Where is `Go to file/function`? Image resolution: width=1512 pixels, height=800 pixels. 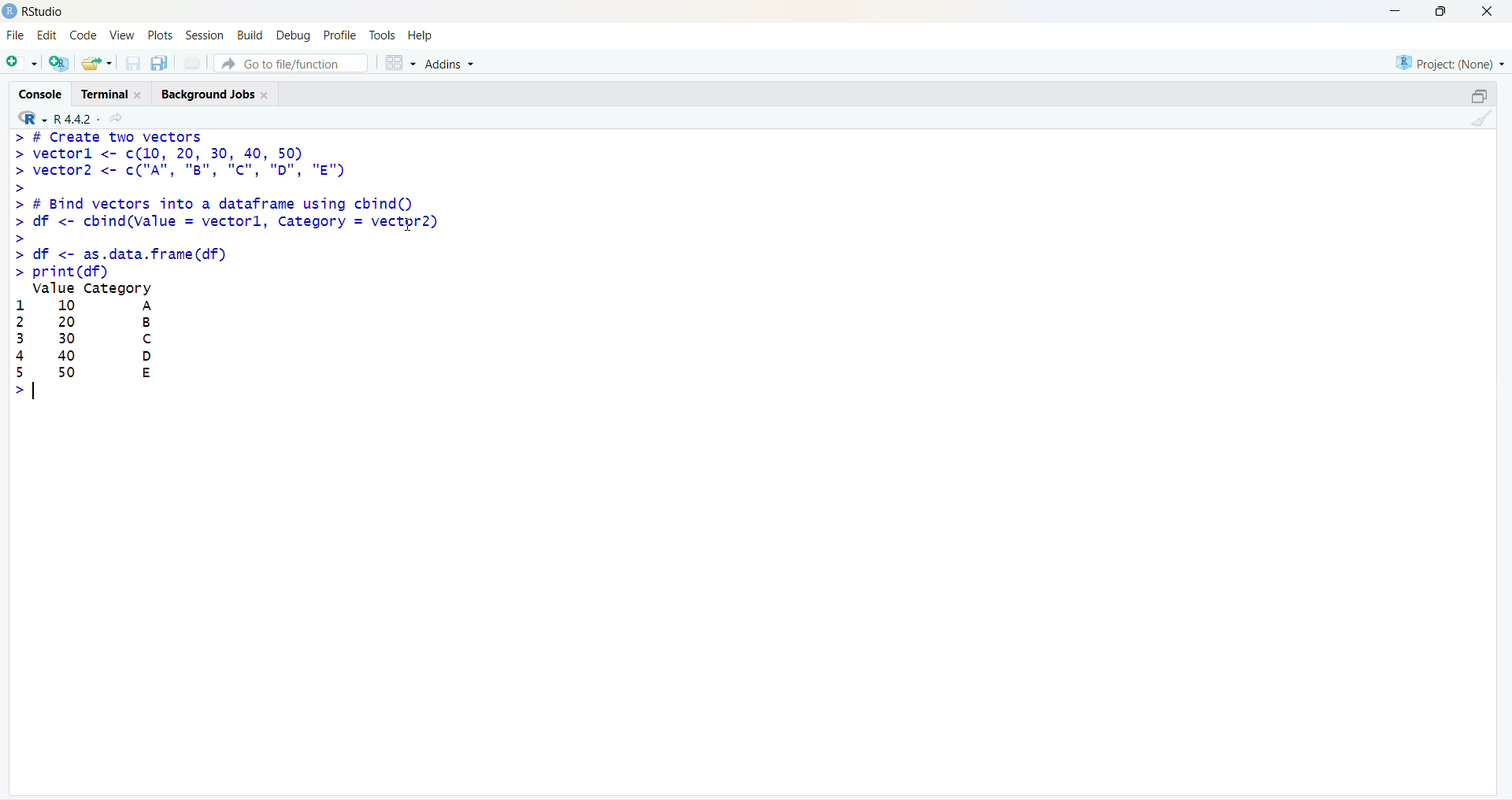
Go to file/function is located at coordinates (291, 63).